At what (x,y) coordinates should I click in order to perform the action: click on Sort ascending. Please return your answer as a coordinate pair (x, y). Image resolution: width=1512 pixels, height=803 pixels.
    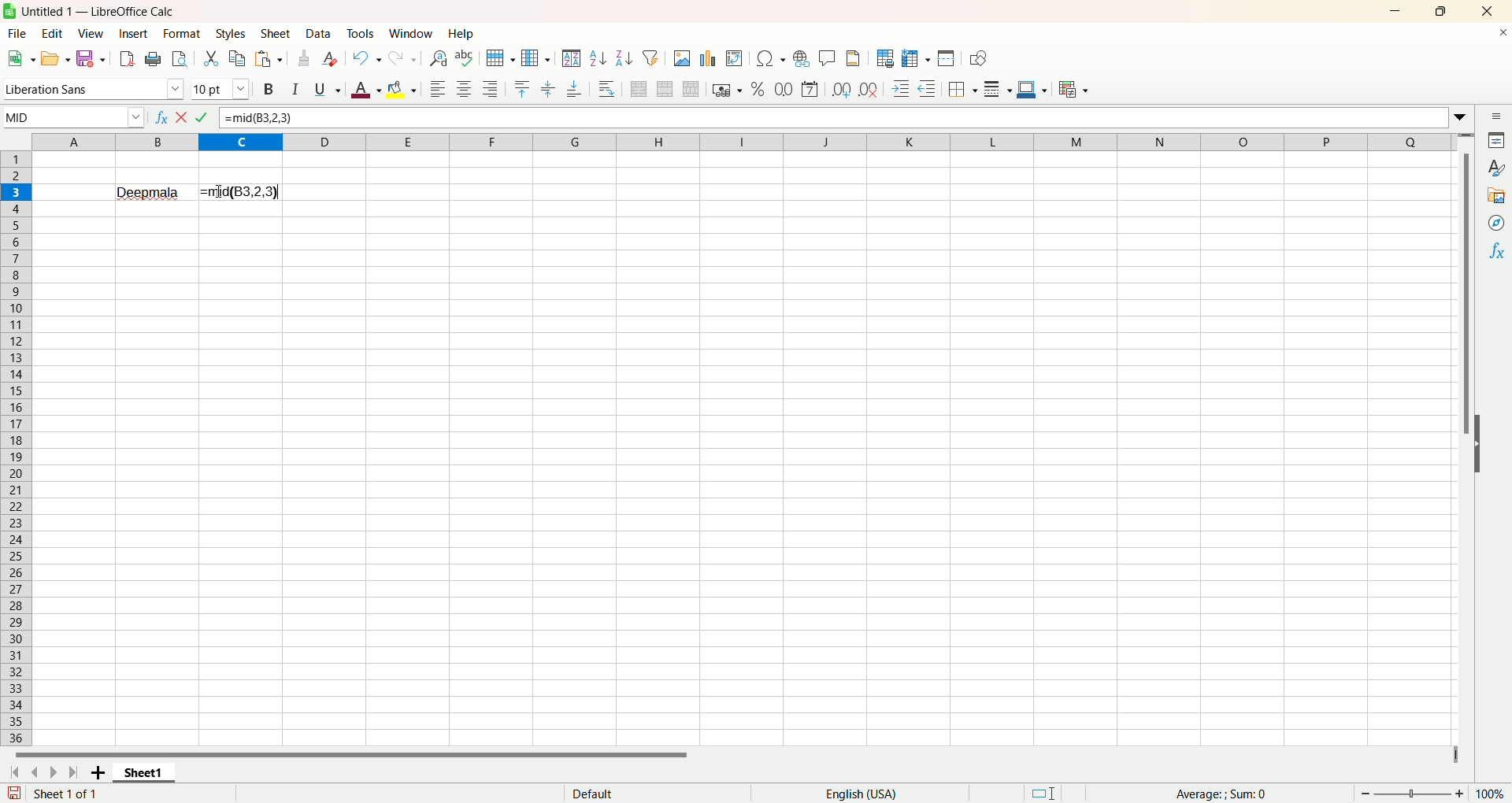
    Looking at the image, I should click on (598, 58).